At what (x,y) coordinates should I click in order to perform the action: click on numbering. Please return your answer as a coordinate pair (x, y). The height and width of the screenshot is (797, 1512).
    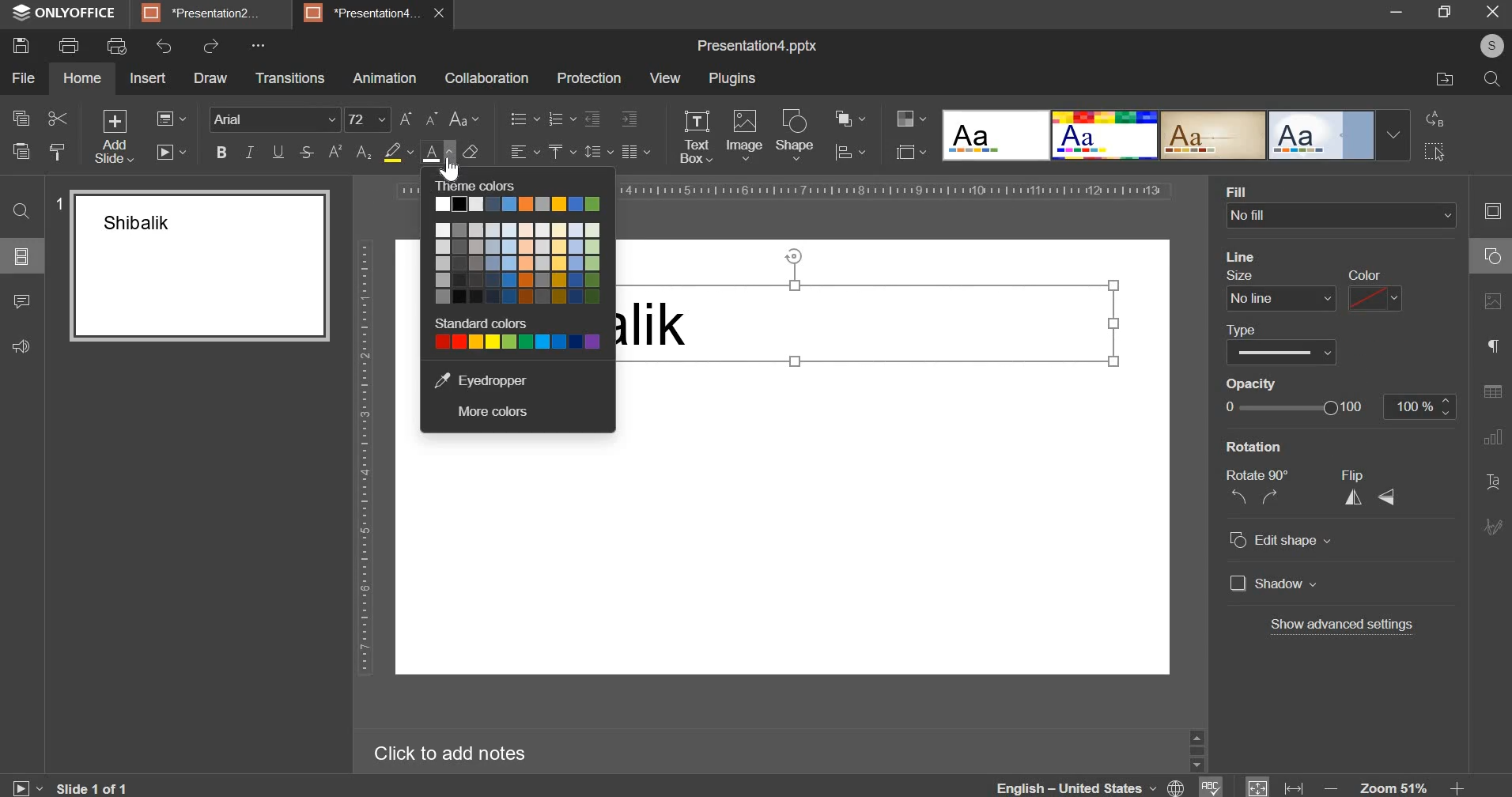
    Looking at the image, I should click on (561, 119).